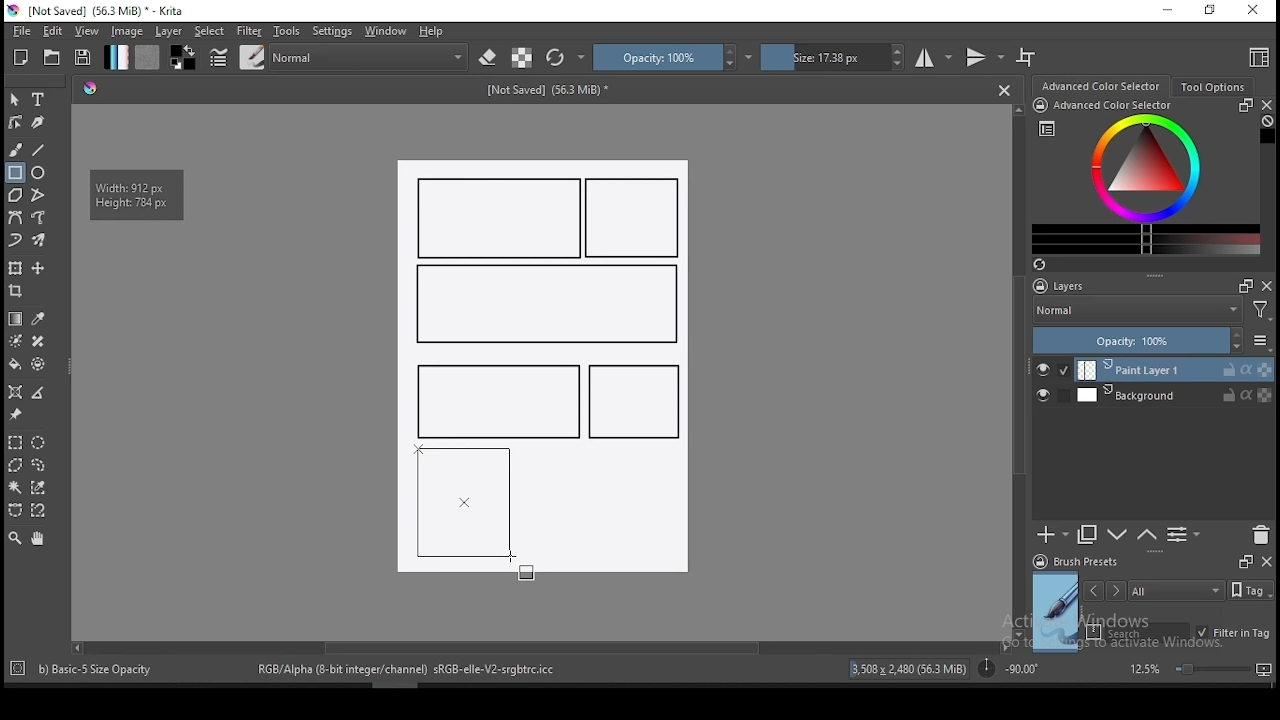 This screenshot has height=720, width=1280. What do you see at coordinates (252, 57) in the screenshot?
I see `brushes` at bounding box center [252, 57].